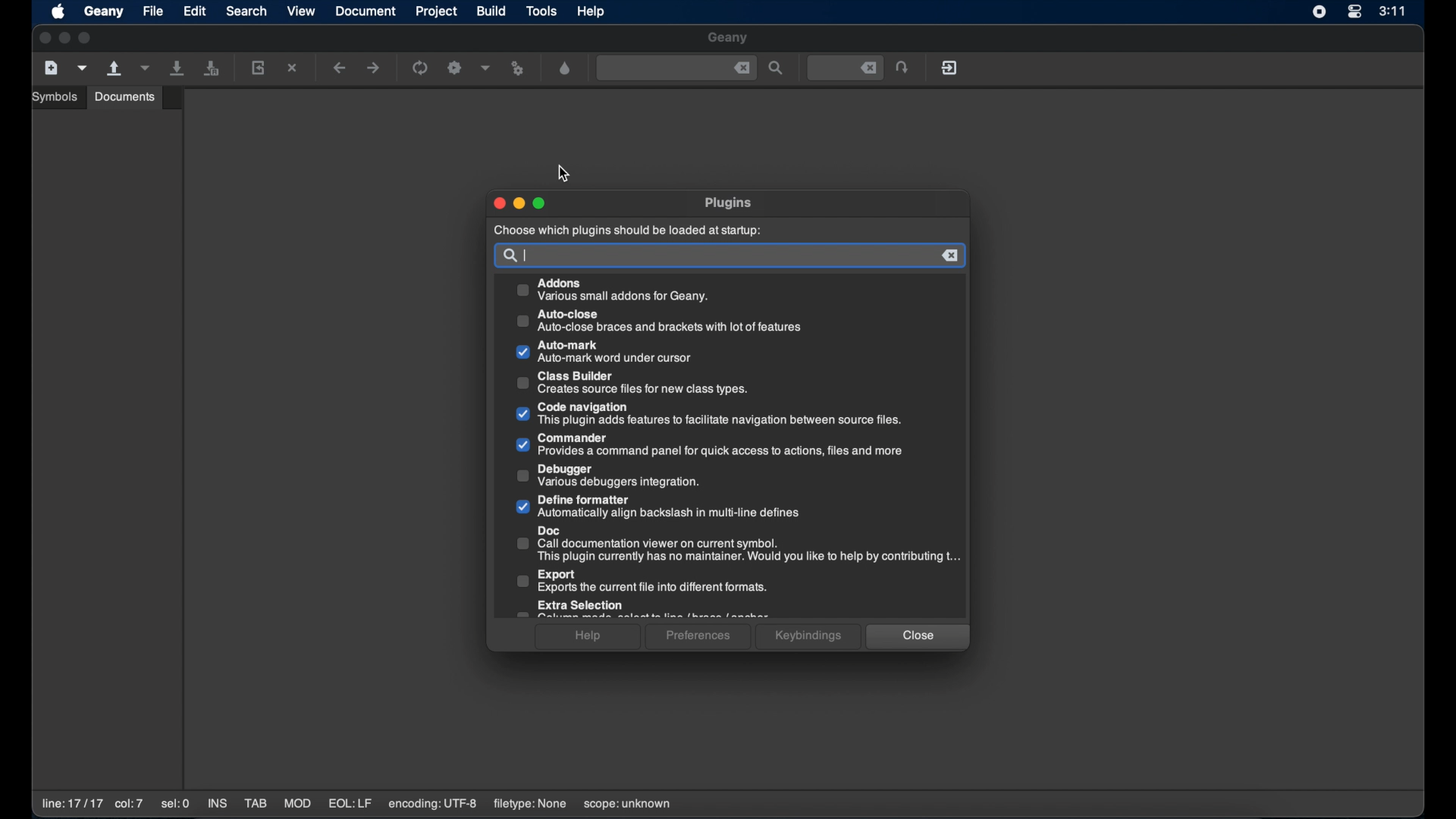 The width and height of the screenshot is (1456, 819). I want to click on open a recent file, so click(145, 68).